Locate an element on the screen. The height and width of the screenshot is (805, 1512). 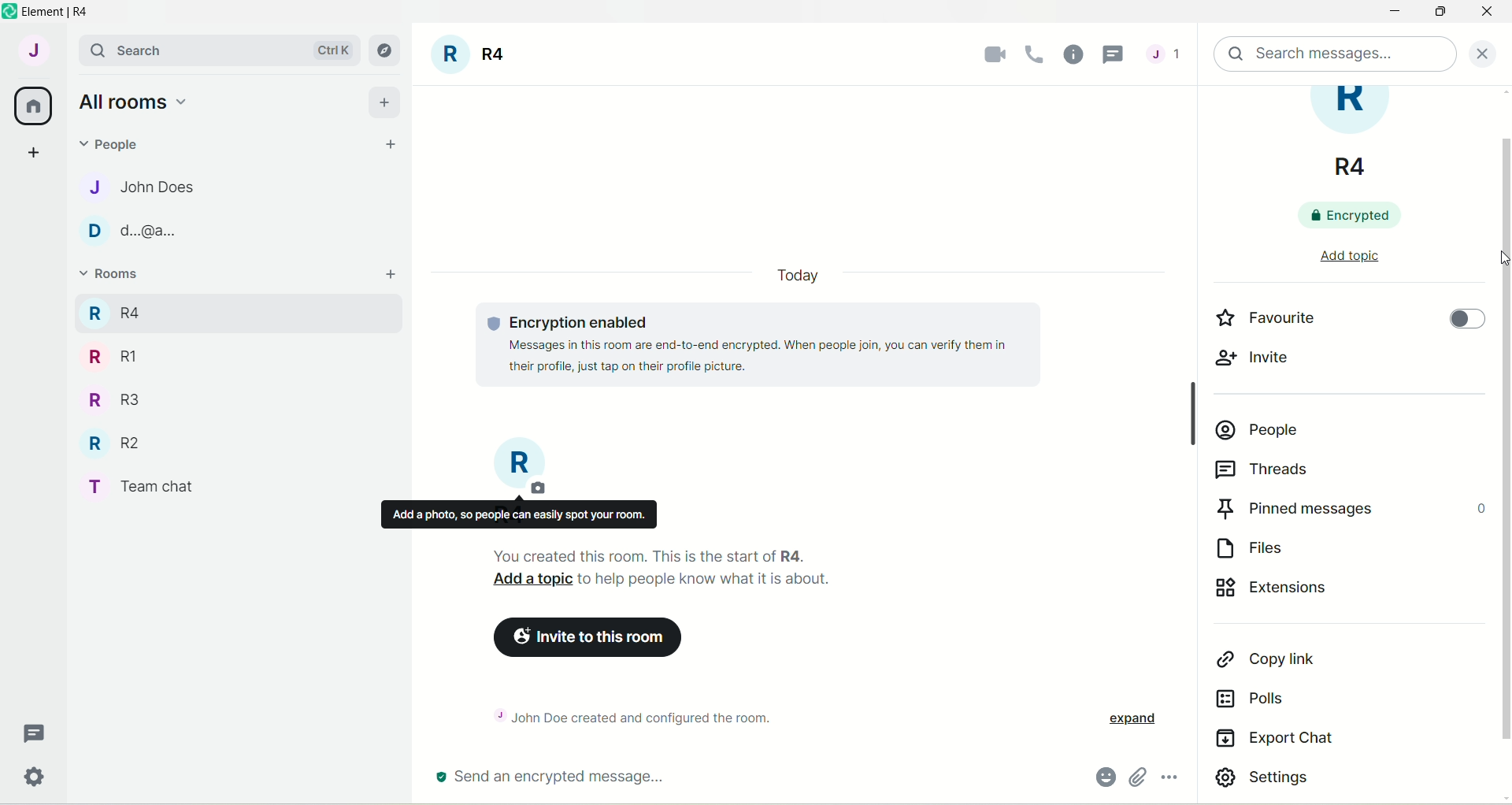
date is located at coordinates (797, 276).